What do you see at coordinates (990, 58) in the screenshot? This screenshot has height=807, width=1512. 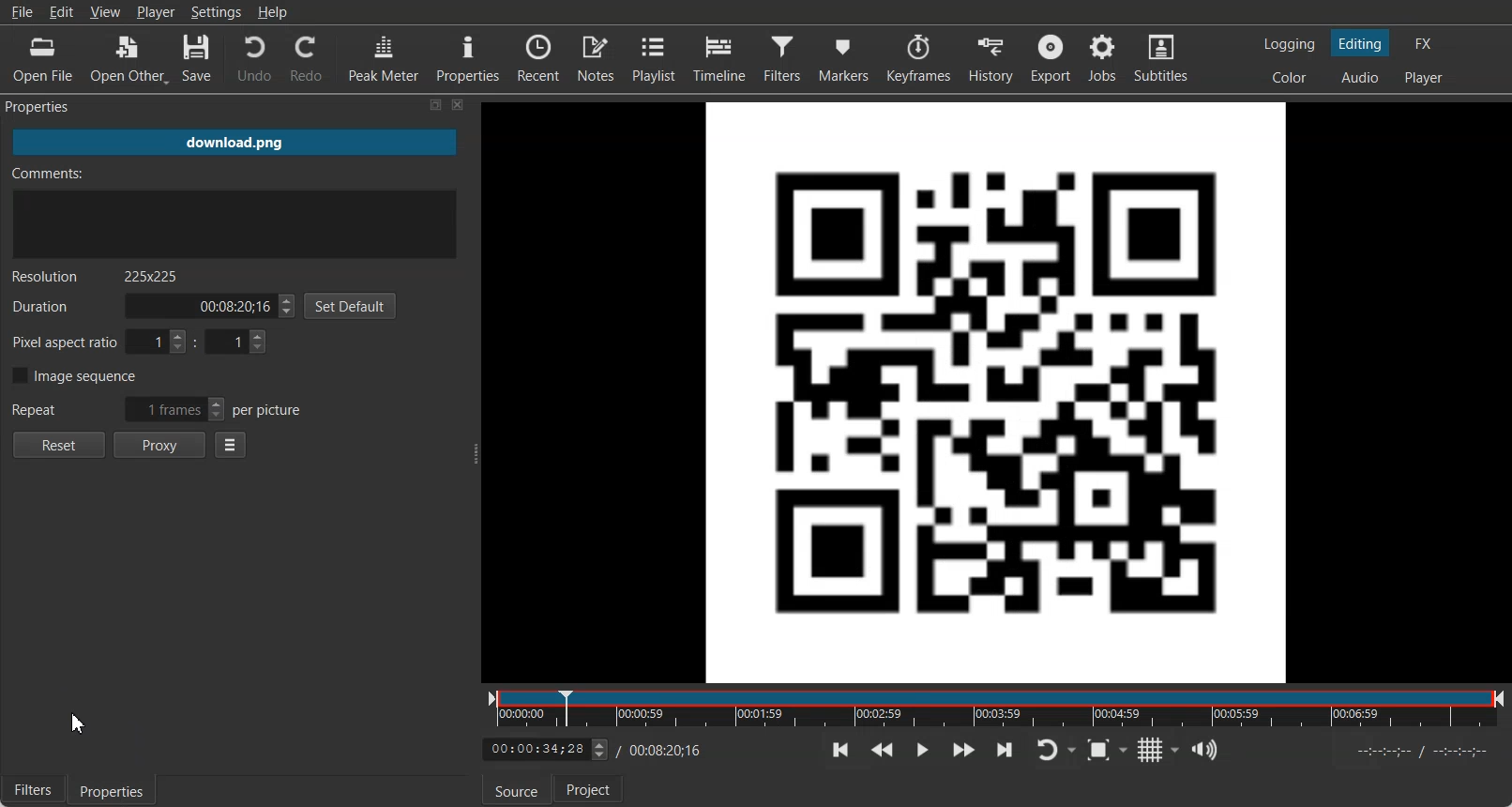 I see `History` at bounding box center [990, 58].